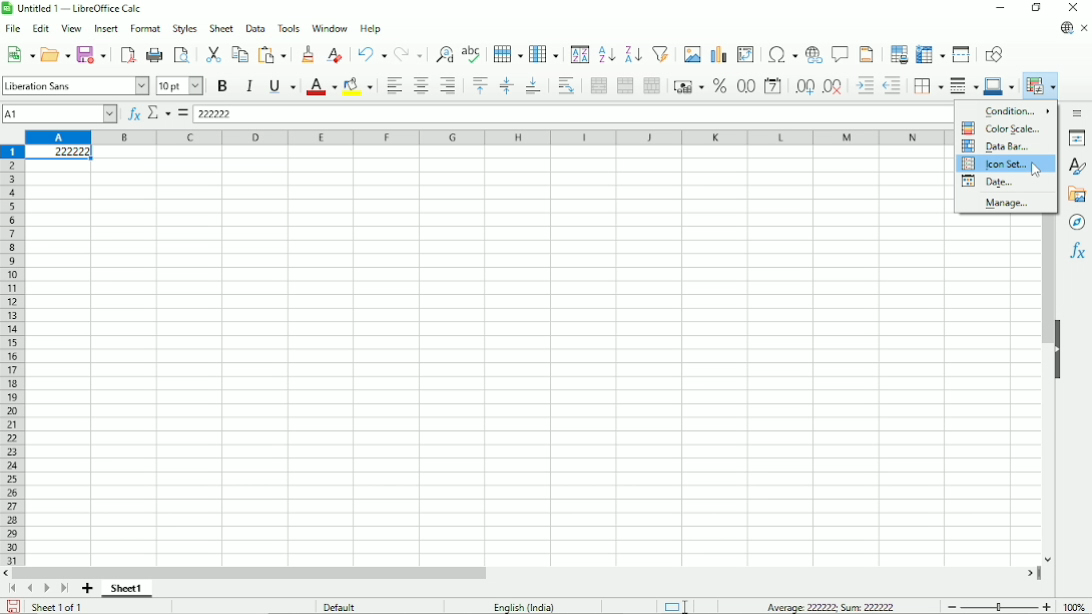 Image resolution: width=1092 pixels, height=614 pixels. Describe the element at coordinates (360, 86) in the screenshot. I see `Background color` at that location.